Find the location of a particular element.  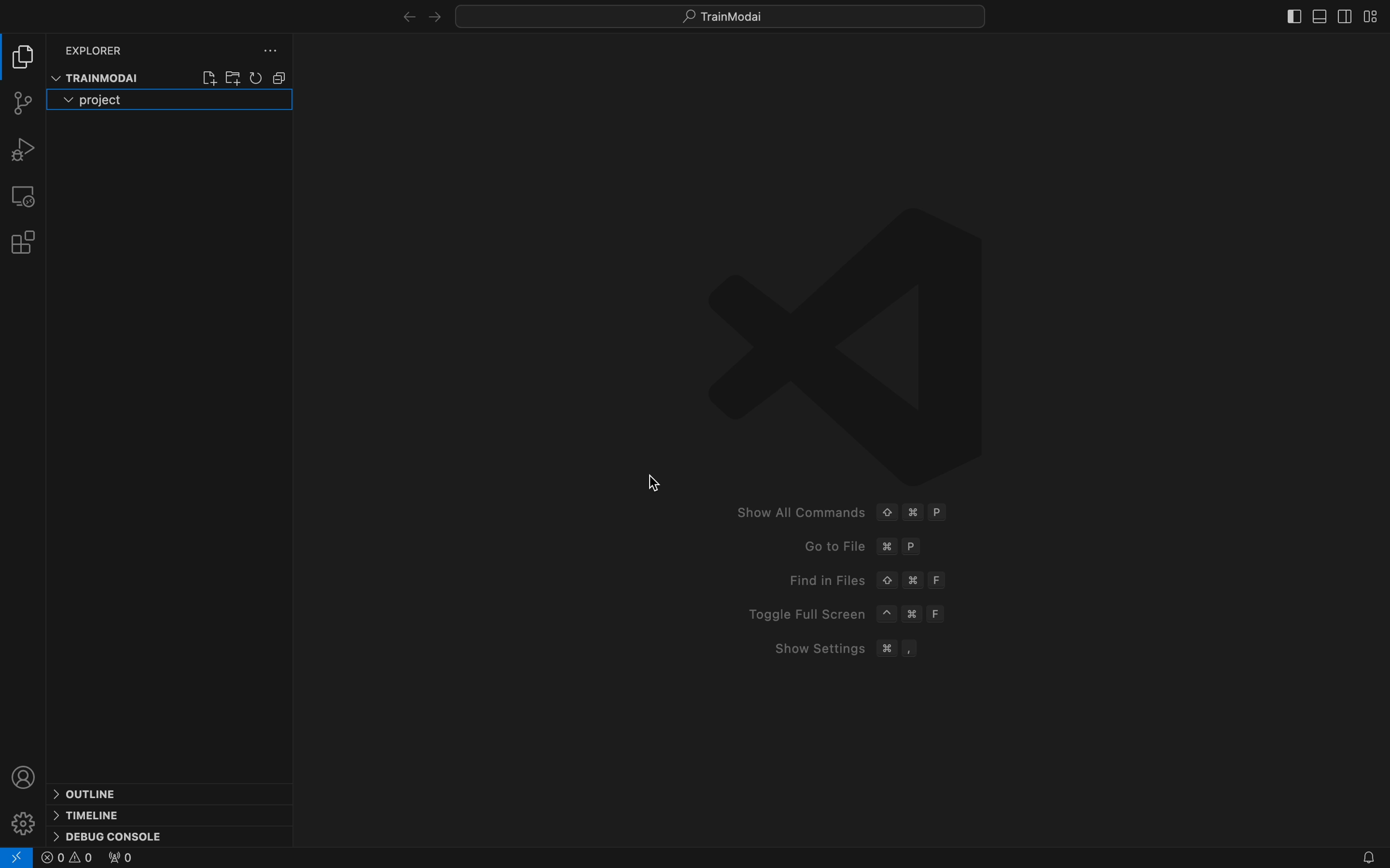

Toggle is located at coordinates (849, 612).